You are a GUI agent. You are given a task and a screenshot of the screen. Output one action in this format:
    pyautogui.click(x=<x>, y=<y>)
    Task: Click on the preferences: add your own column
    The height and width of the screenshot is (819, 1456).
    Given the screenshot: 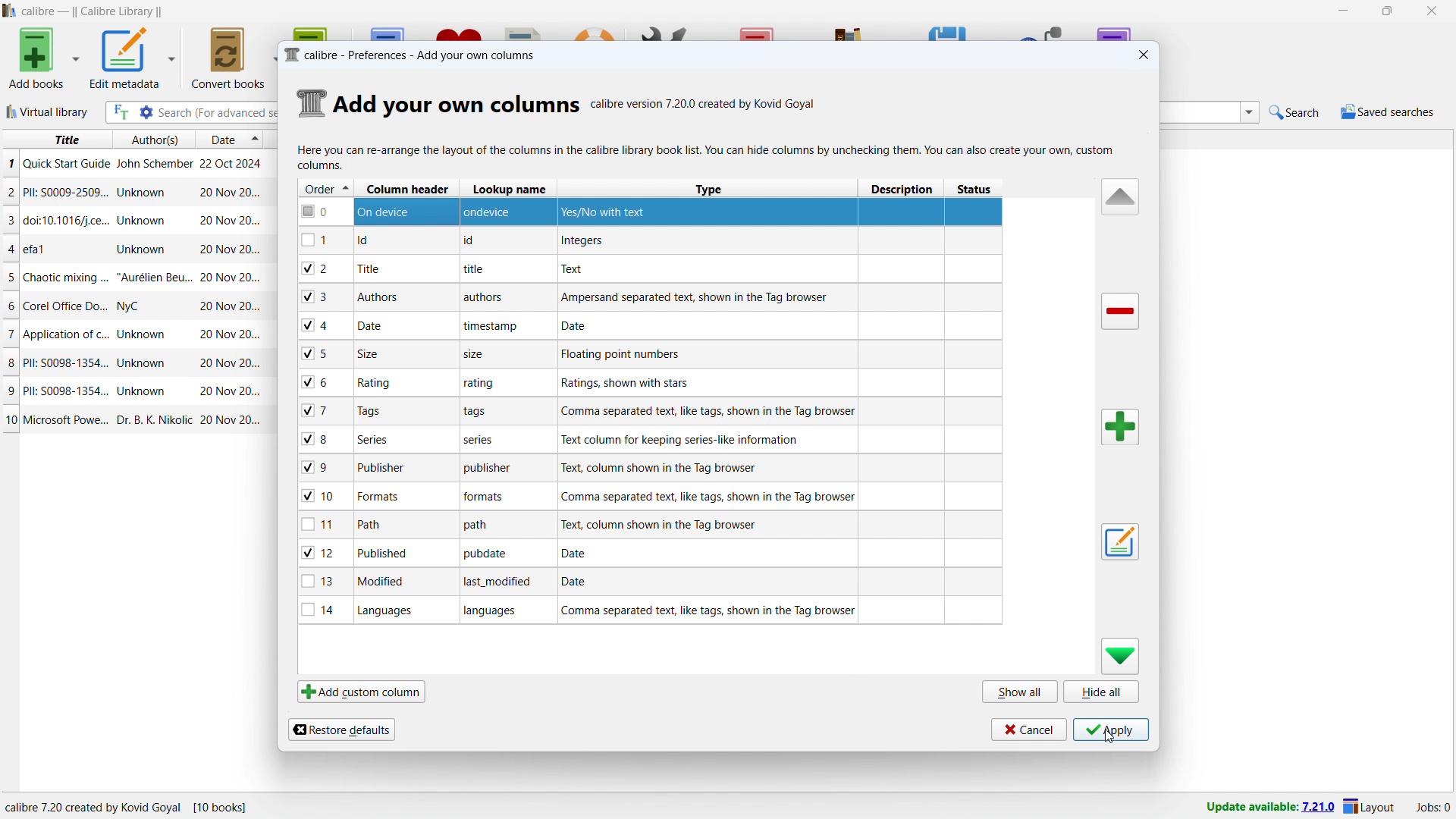 What is the action you would take?
    pyautogui.click(x=413, y=55)
    